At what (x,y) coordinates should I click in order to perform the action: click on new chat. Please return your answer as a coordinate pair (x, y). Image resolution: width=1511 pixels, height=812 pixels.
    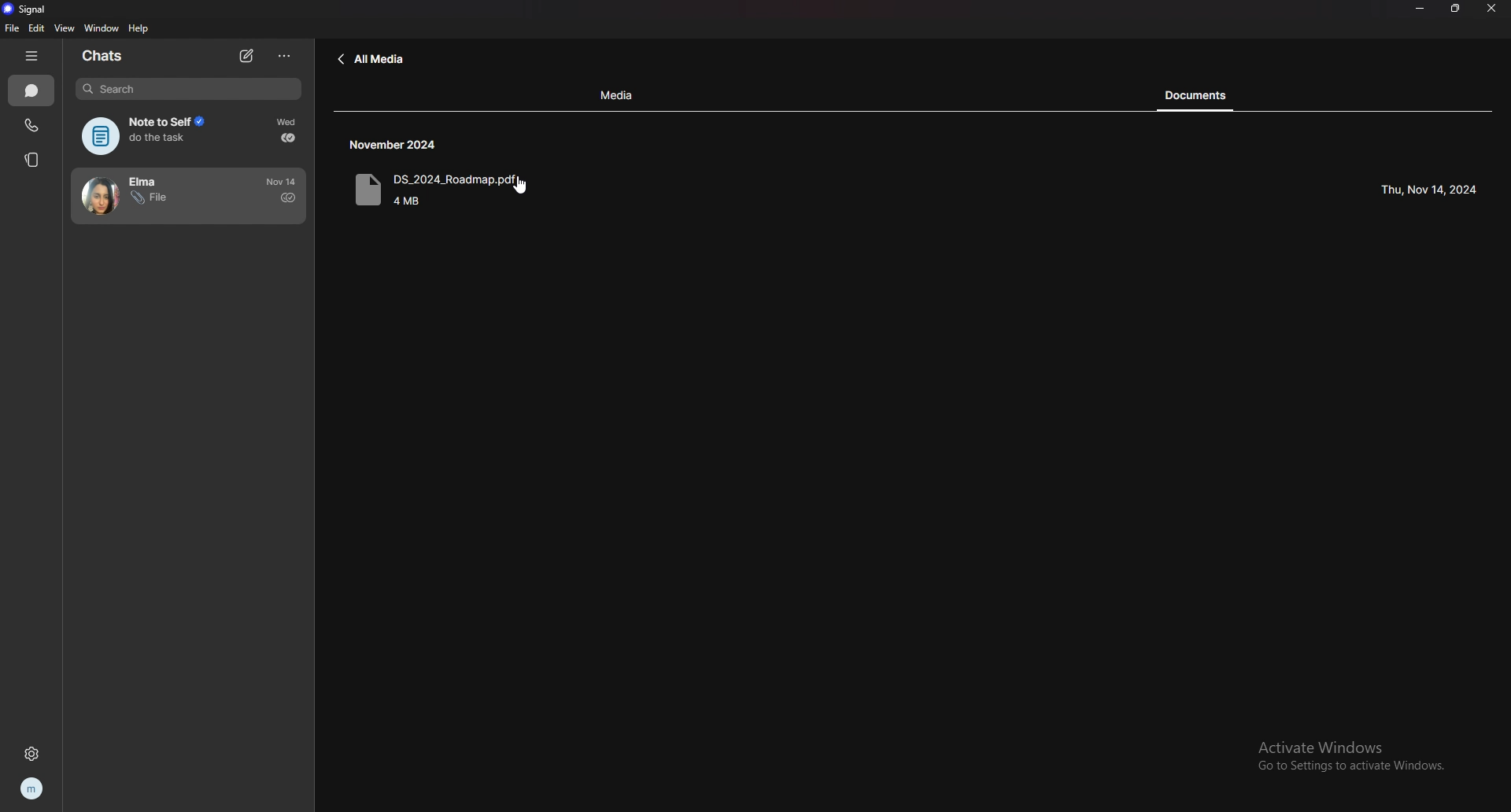
    Looking at the image, I should click on (246, 56).